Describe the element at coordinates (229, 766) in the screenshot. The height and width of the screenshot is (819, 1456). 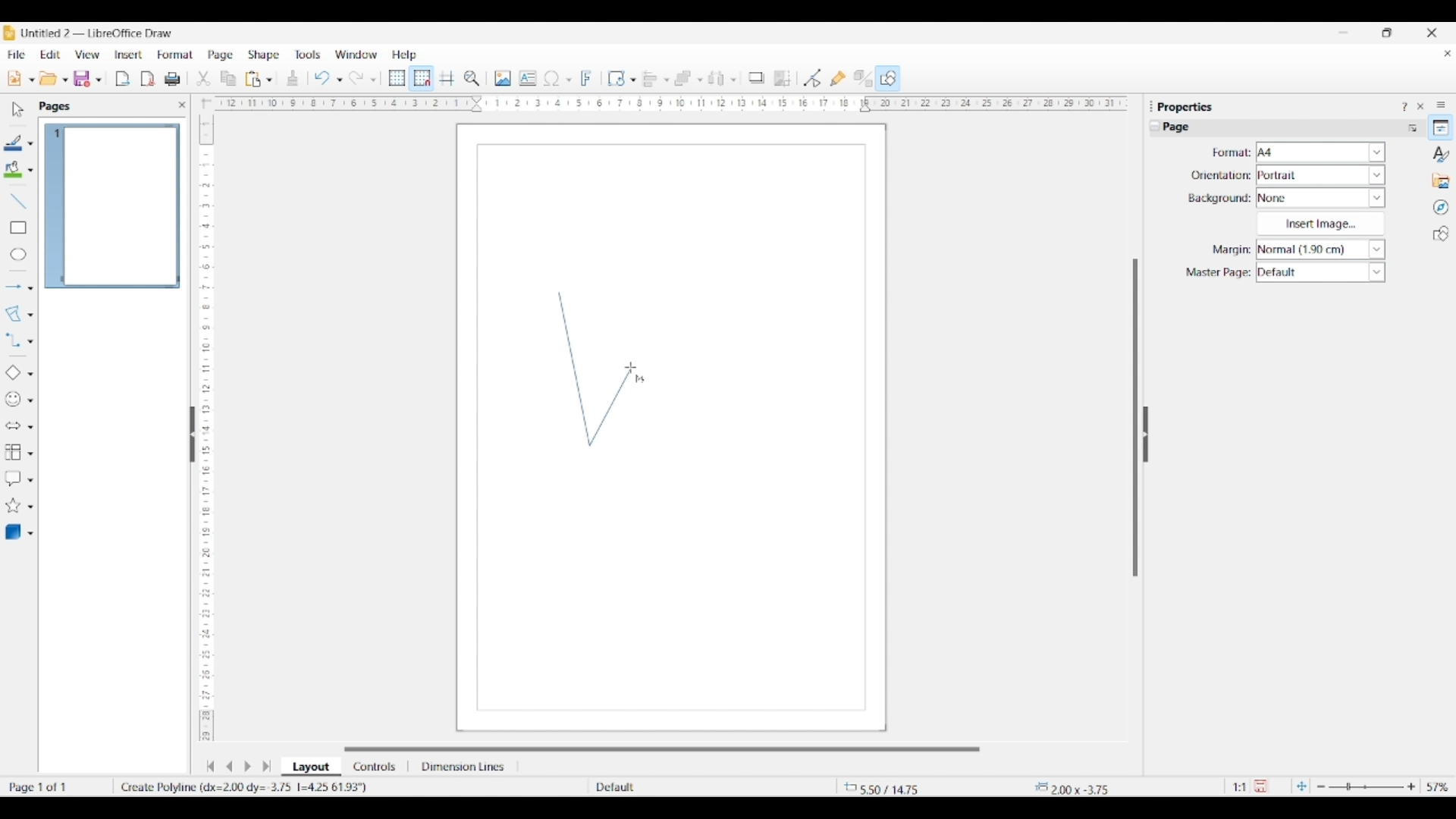
I see `Move to previous slide` at that location.